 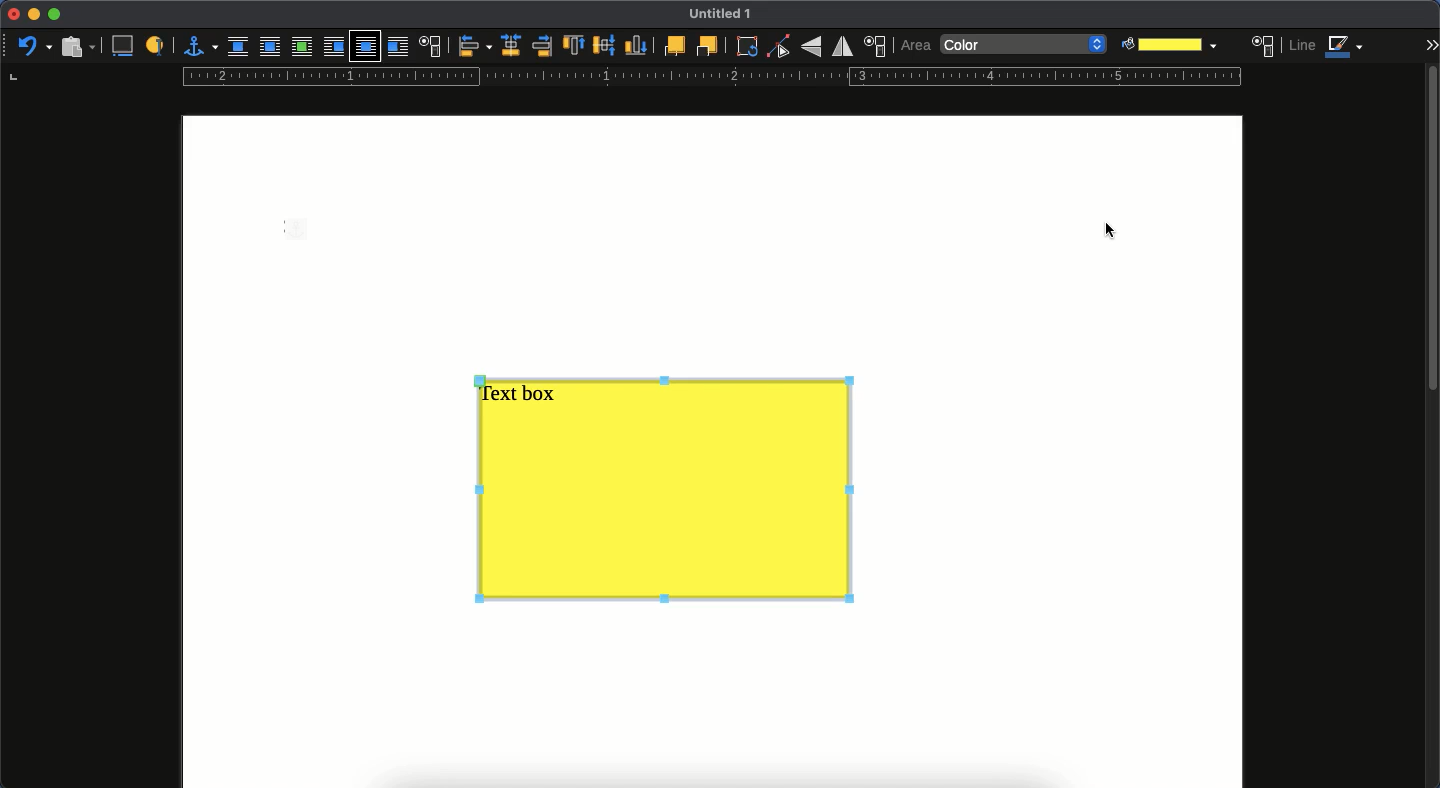 I want to click on expand, so click(x=1431, y=44).